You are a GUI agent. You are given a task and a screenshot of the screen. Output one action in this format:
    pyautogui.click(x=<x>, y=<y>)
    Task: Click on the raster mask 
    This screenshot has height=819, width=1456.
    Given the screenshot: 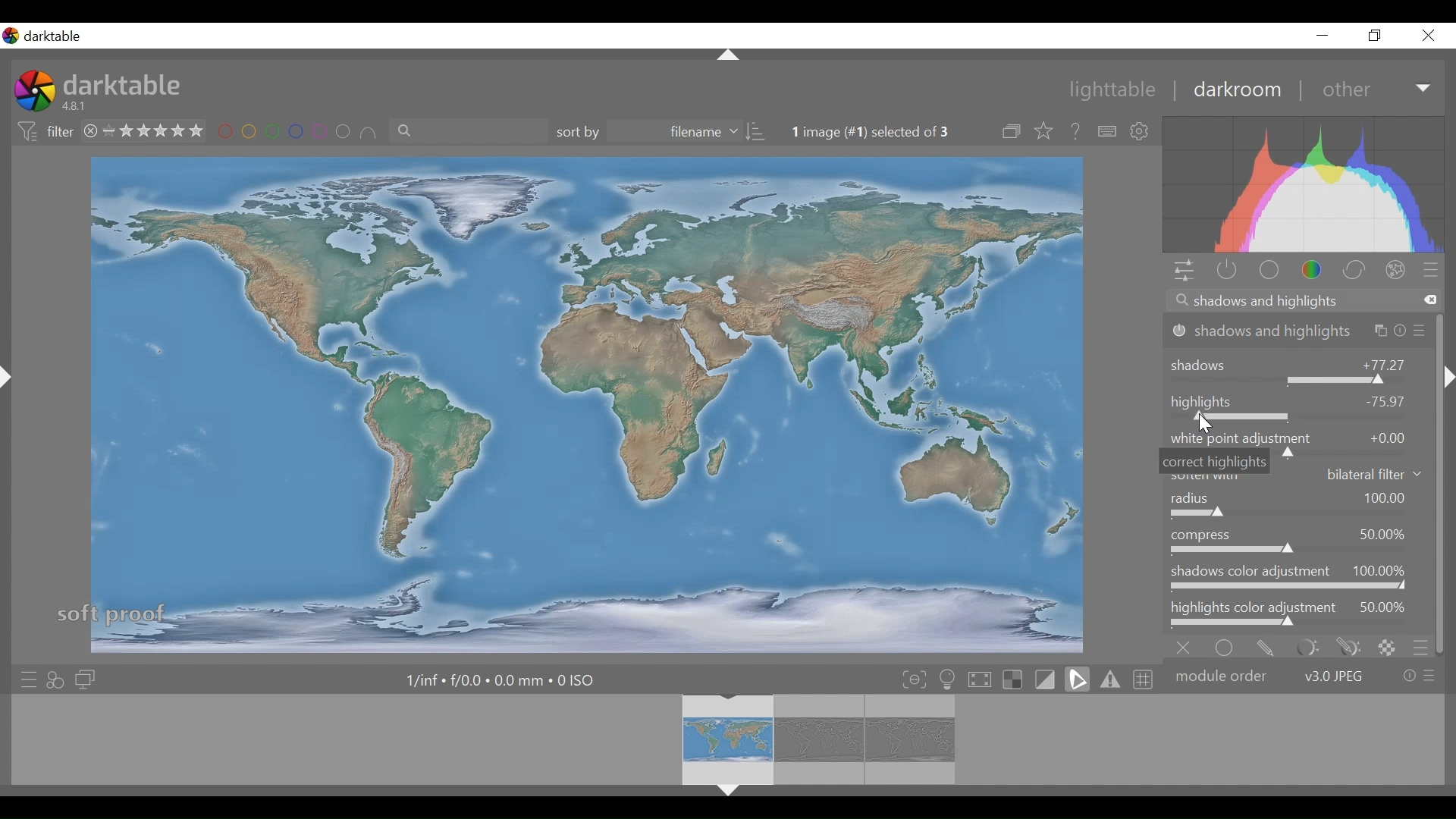 What is the action you would take?
    pyautogui.click(x=1386, y=646)
    